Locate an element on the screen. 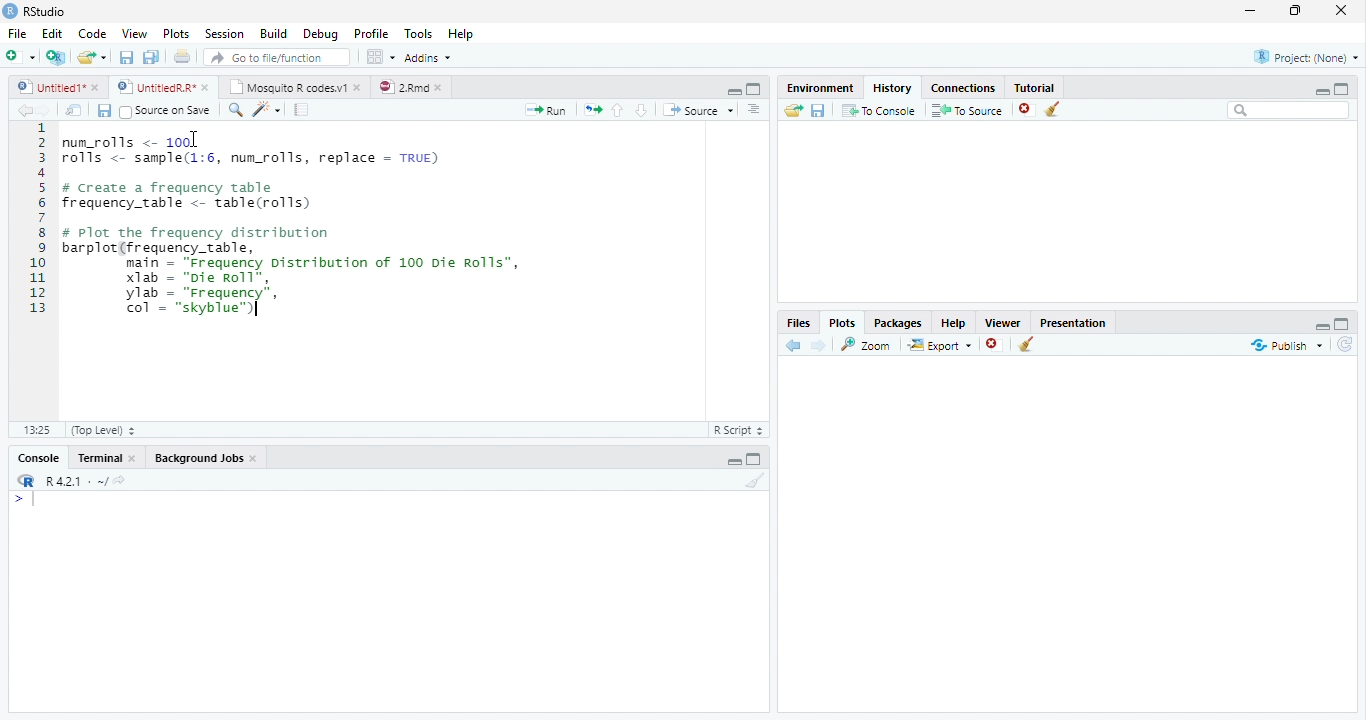 The image size is (1366, 720). Re run previous code region is located at coordinates (591, 111).